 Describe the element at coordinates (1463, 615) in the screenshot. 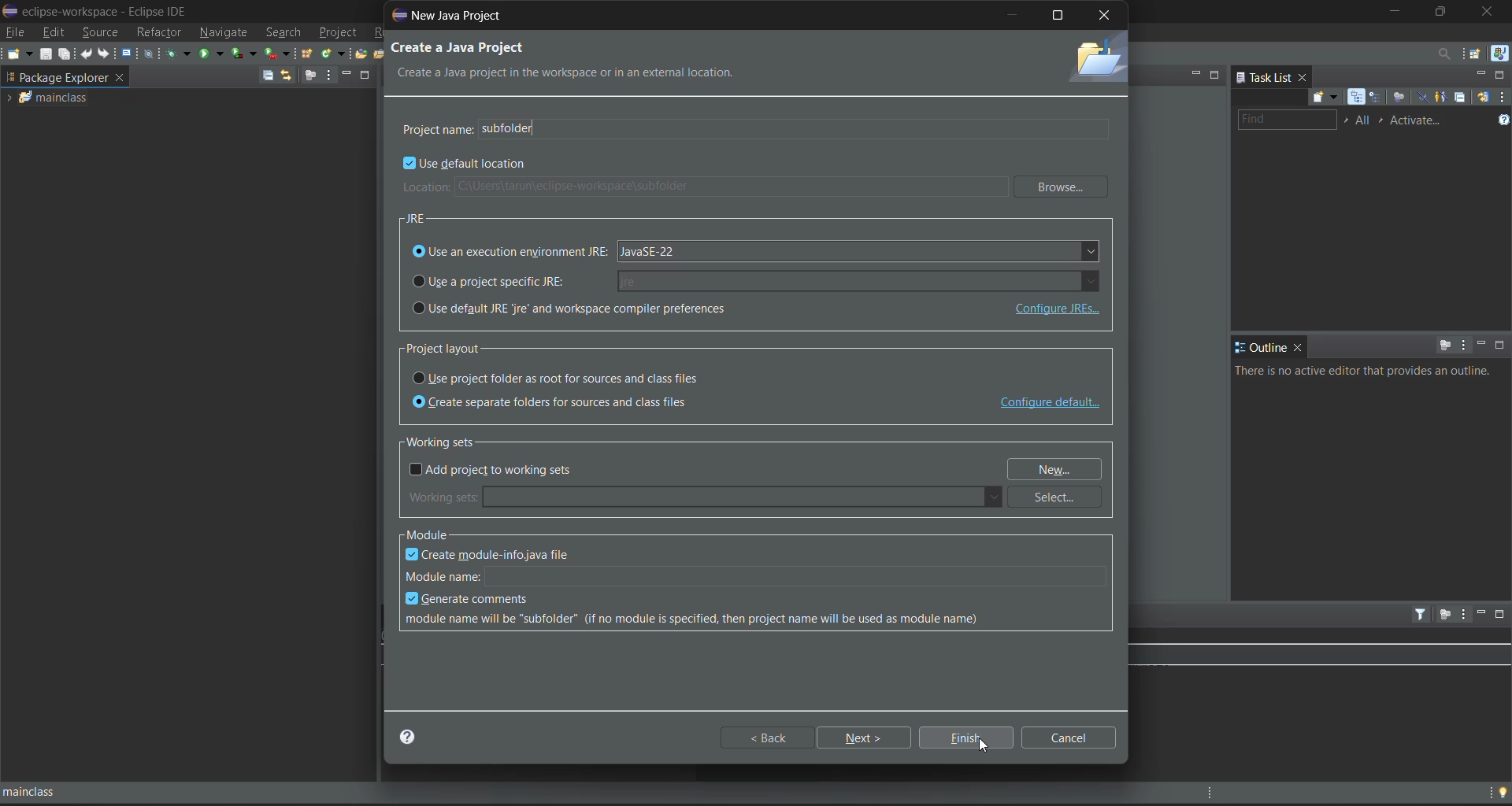

I see `view menu` at that location.